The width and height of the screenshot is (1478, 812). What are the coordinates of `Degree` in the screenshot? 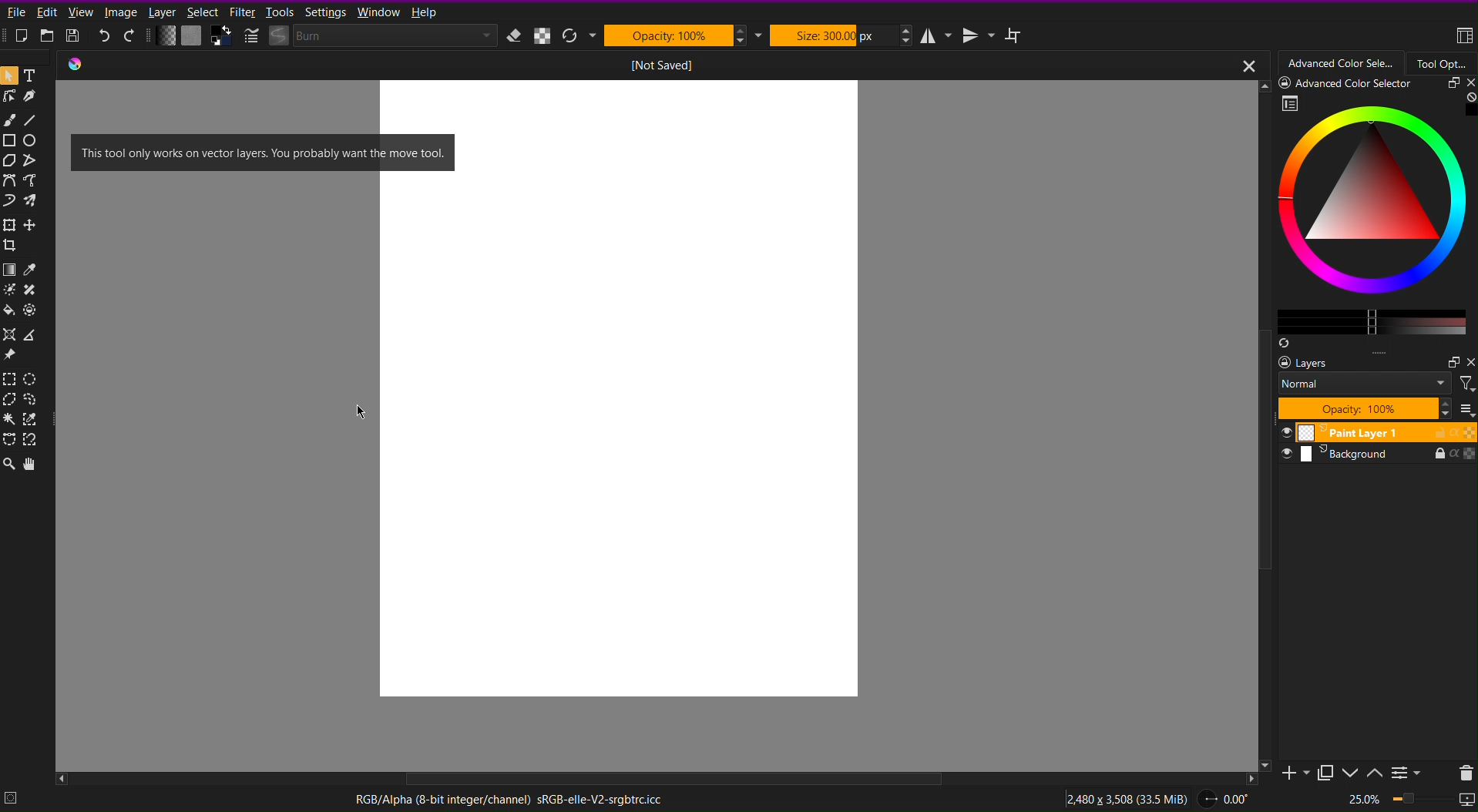 It's located at (1229, 797).